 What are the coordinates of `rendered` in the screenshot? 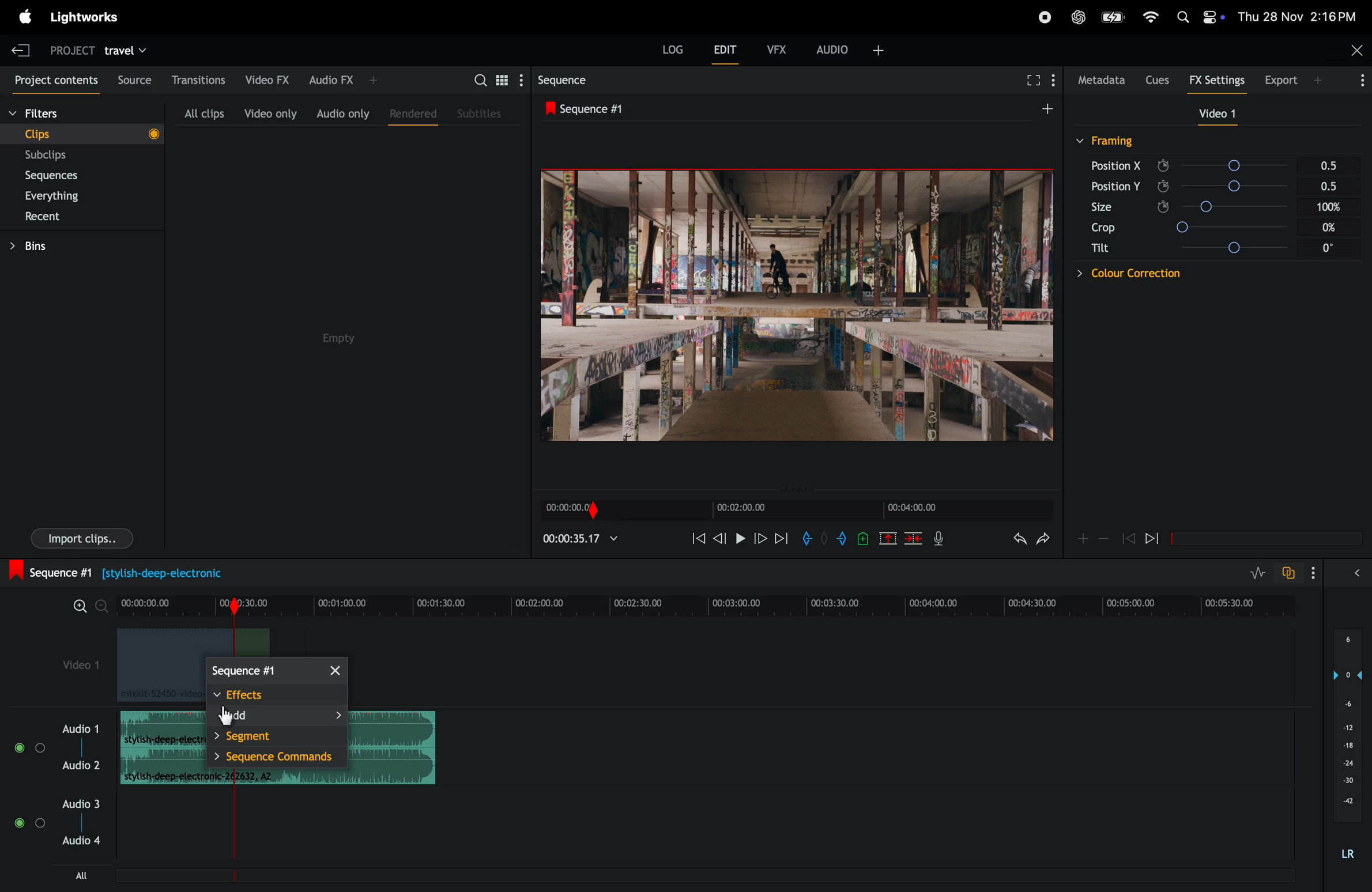 It's located at (409, 111).